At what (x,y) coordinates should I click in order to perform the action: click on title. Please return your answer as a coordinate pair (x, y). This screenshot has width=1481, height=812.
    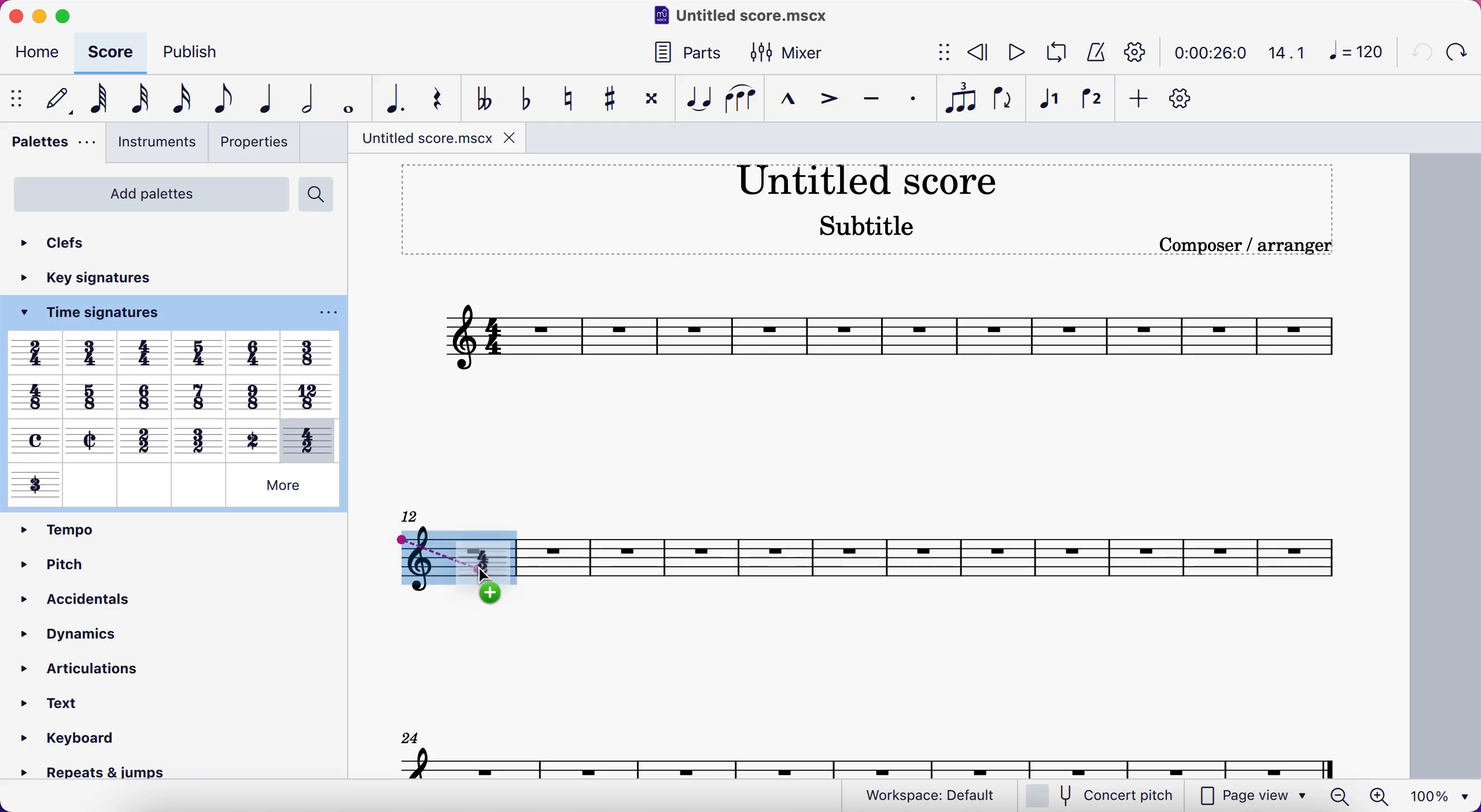
    Looking at the image, I should click on (419, 140).